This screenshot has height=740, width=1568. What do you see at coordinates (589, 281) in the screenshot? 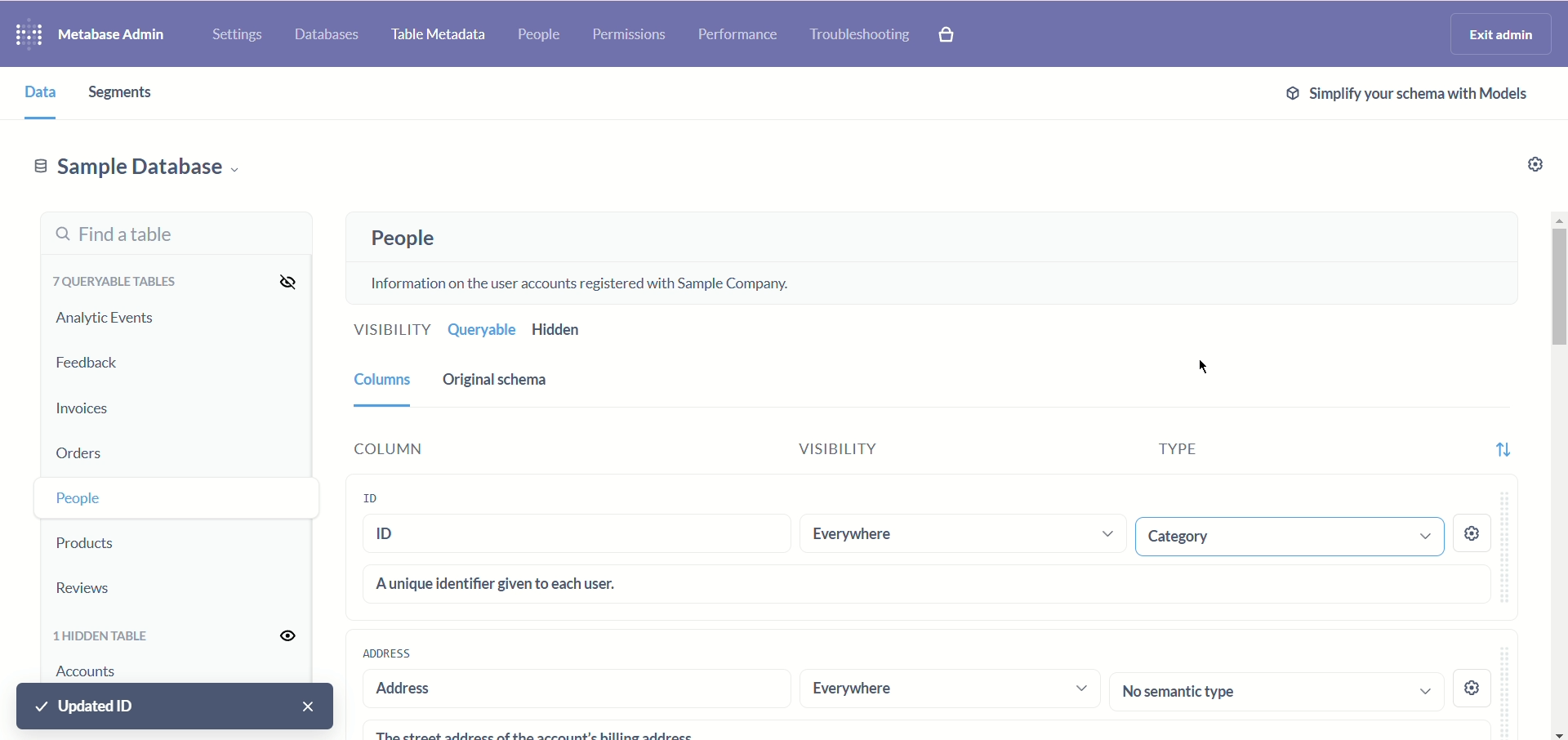
I see `information on the user accounts registered with sample company` at bounding box center [589, 281].